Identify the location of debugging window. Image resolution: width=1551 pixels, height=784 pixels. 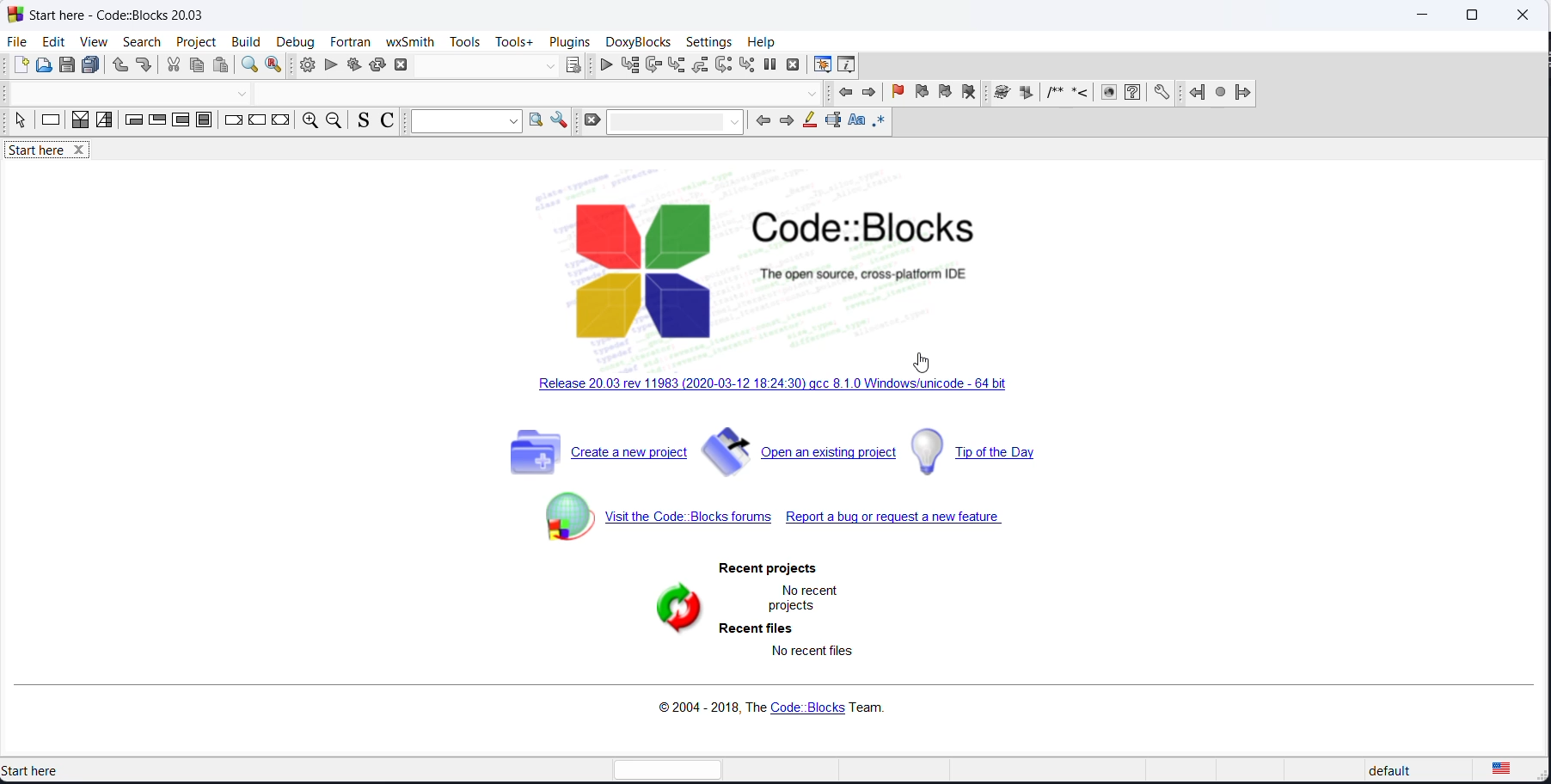
(822, 64).